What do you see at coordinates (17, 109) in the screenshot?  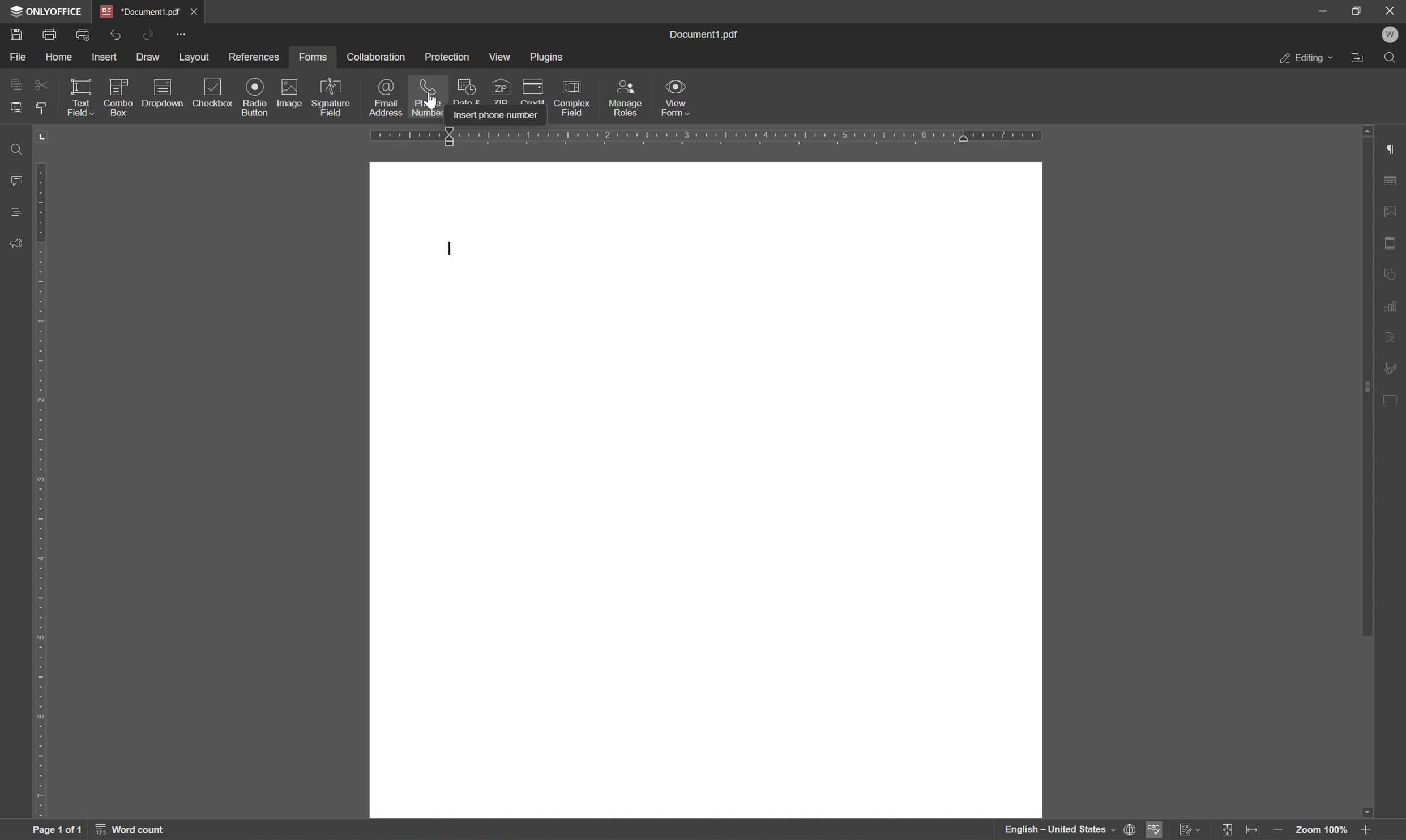 I see `paste` at bounding box center [17, 109].